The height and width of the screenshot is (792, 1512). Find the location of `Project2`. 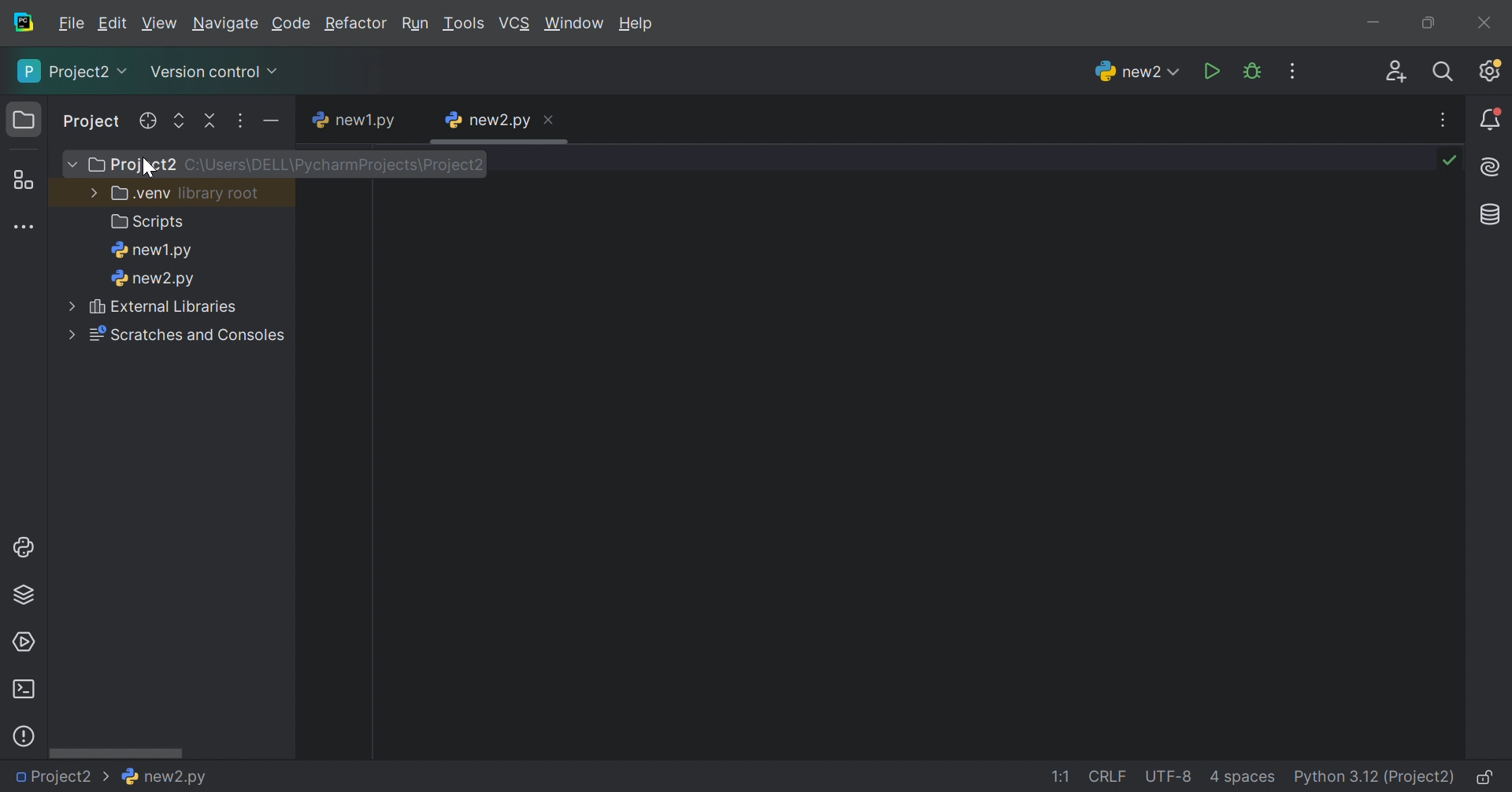

Project2 is located at coordinates (131, 167).